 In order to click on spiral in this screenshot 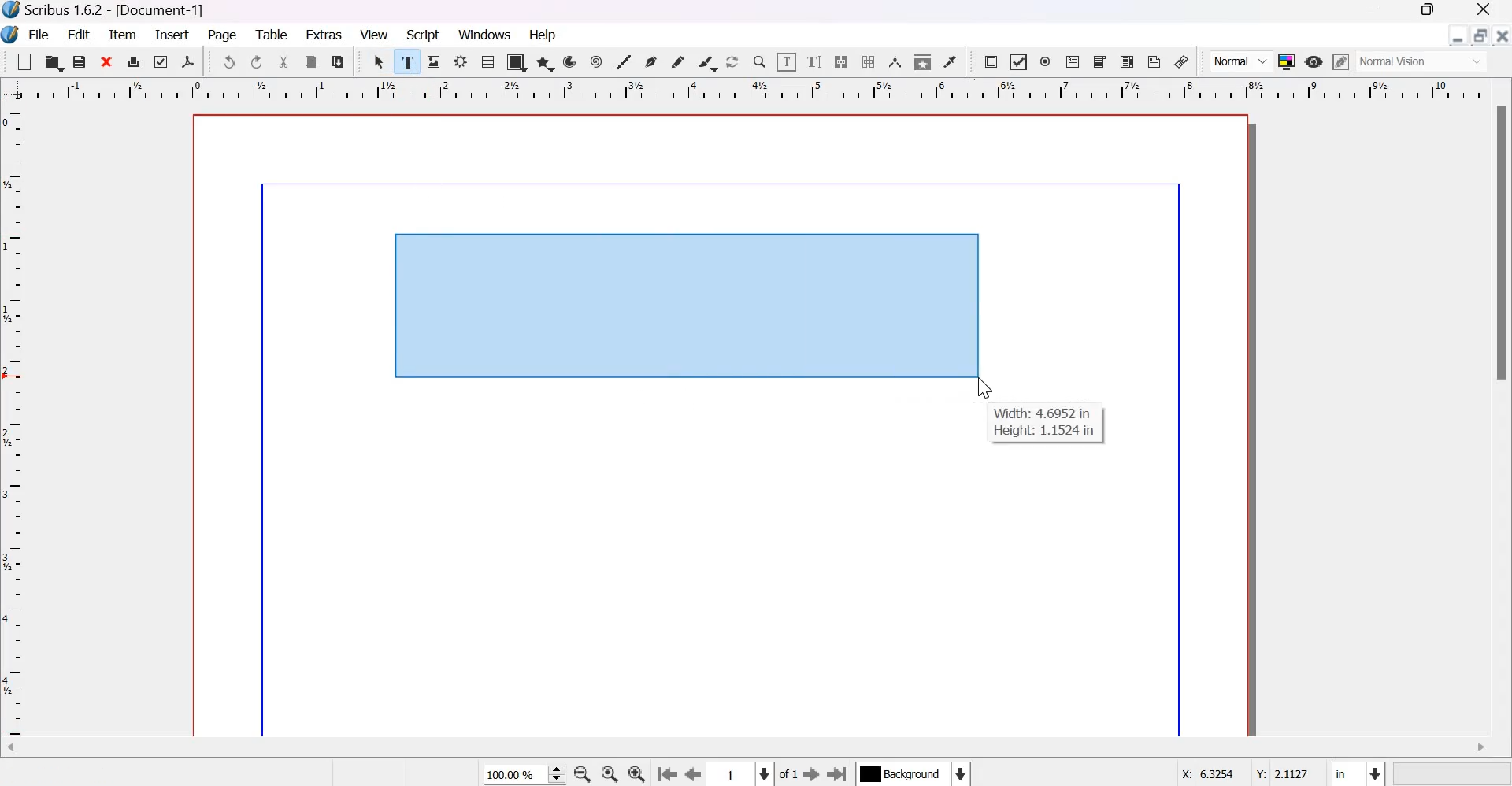, I will do `click(598, 61)`.